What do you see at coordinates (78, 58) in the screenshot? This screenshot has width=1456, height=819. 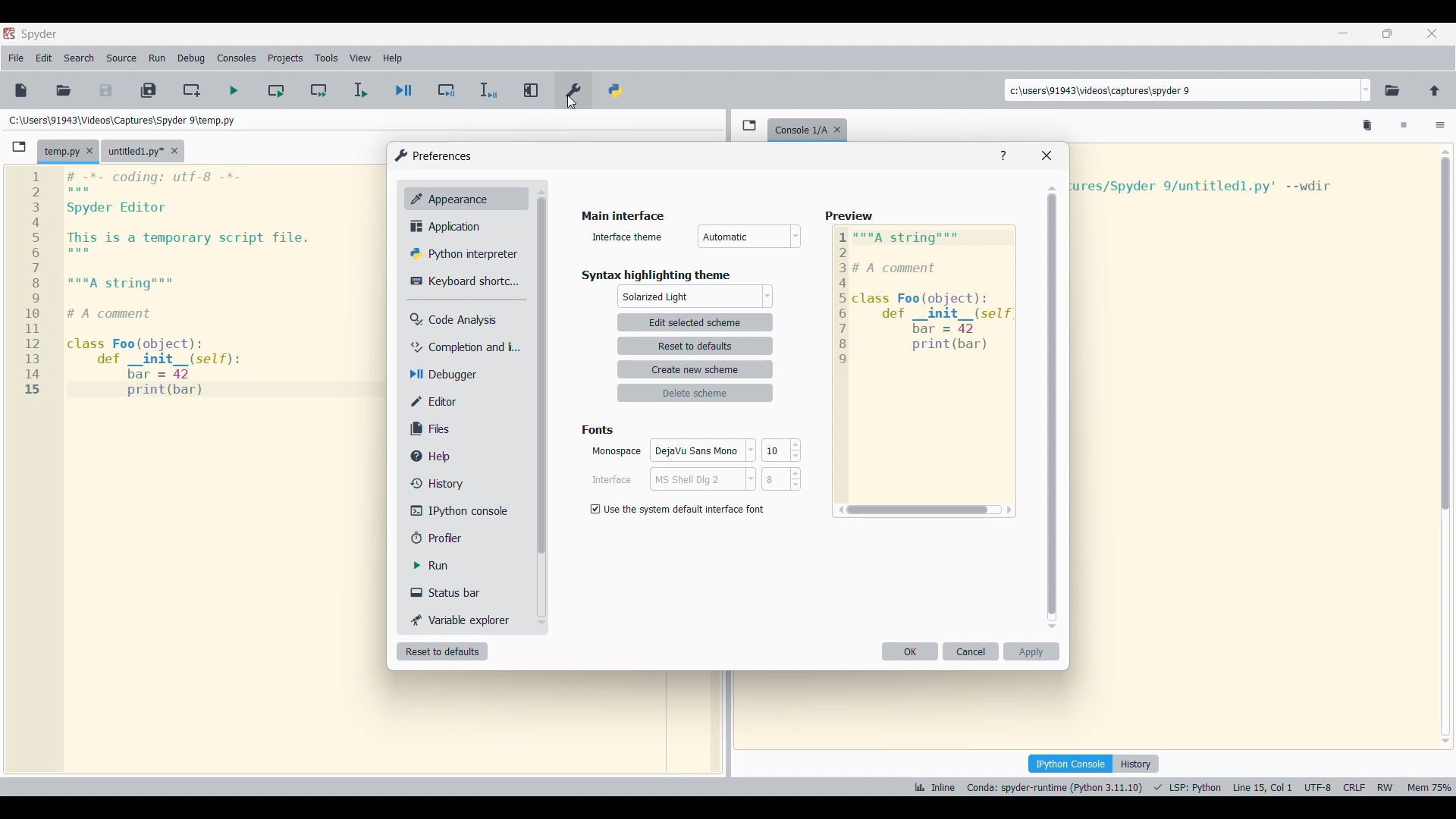 I see `Search menu` at bounding box center [78, 58].